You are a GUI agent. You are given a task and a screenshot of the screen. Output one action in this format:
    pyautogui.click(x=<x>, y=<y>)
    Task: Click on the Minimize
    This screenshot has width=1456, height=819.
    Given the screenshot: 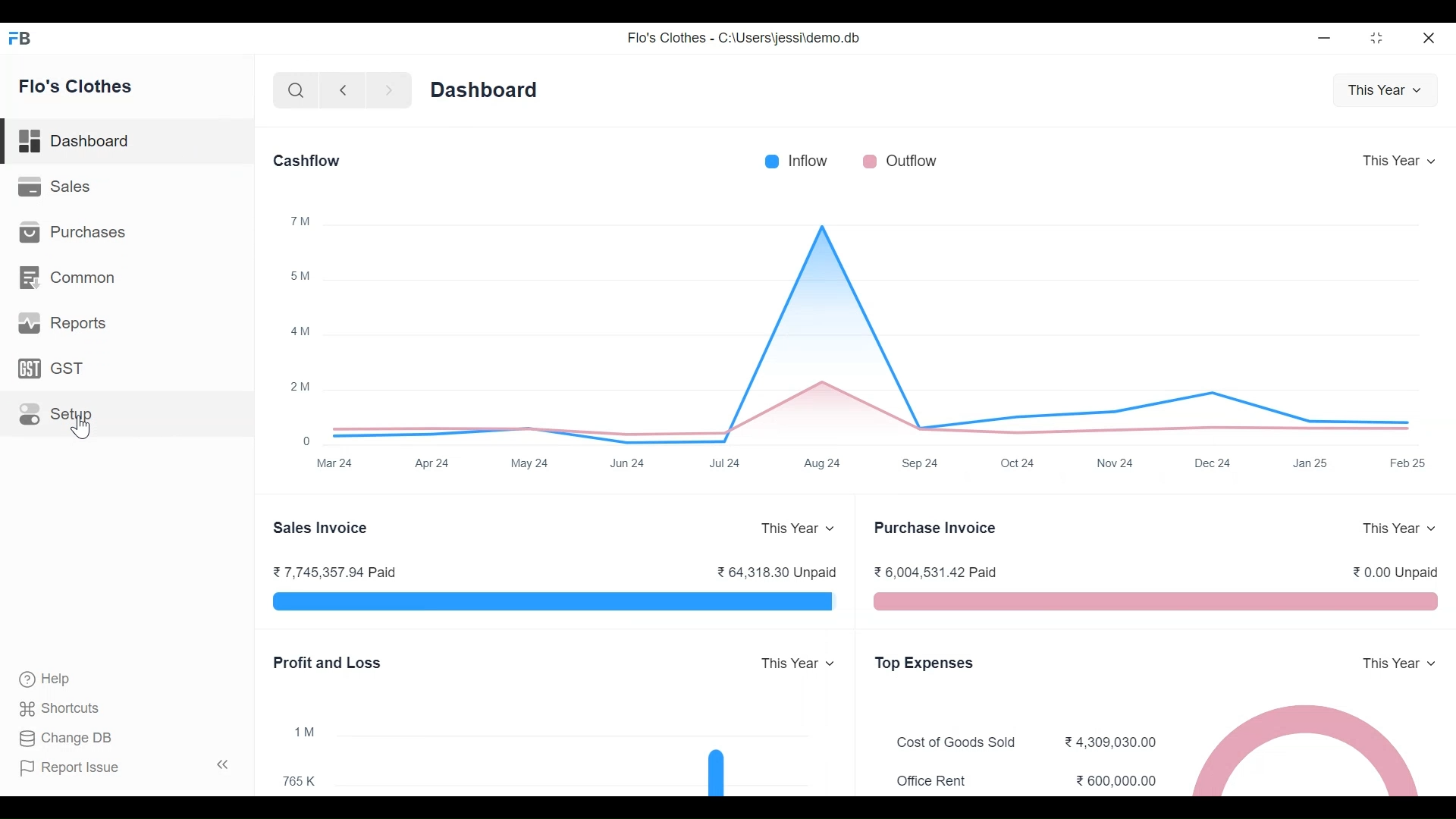 What is the action you would take?
    pyautogui.click(x=1322, y=37)
    